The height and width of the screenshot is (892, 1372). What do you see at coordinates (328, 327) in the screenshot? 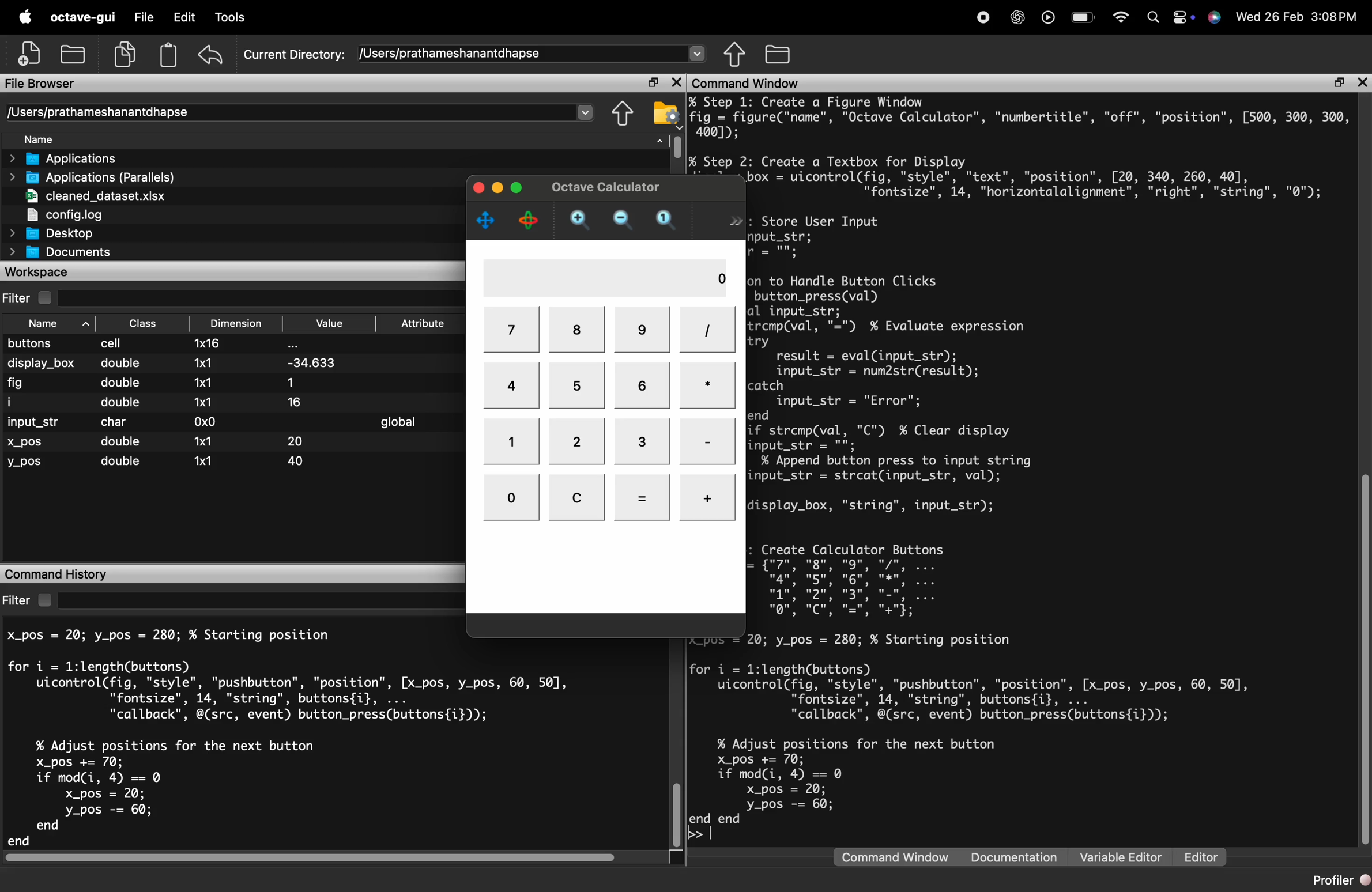
I see `Value` at bounding box center [328, 327].